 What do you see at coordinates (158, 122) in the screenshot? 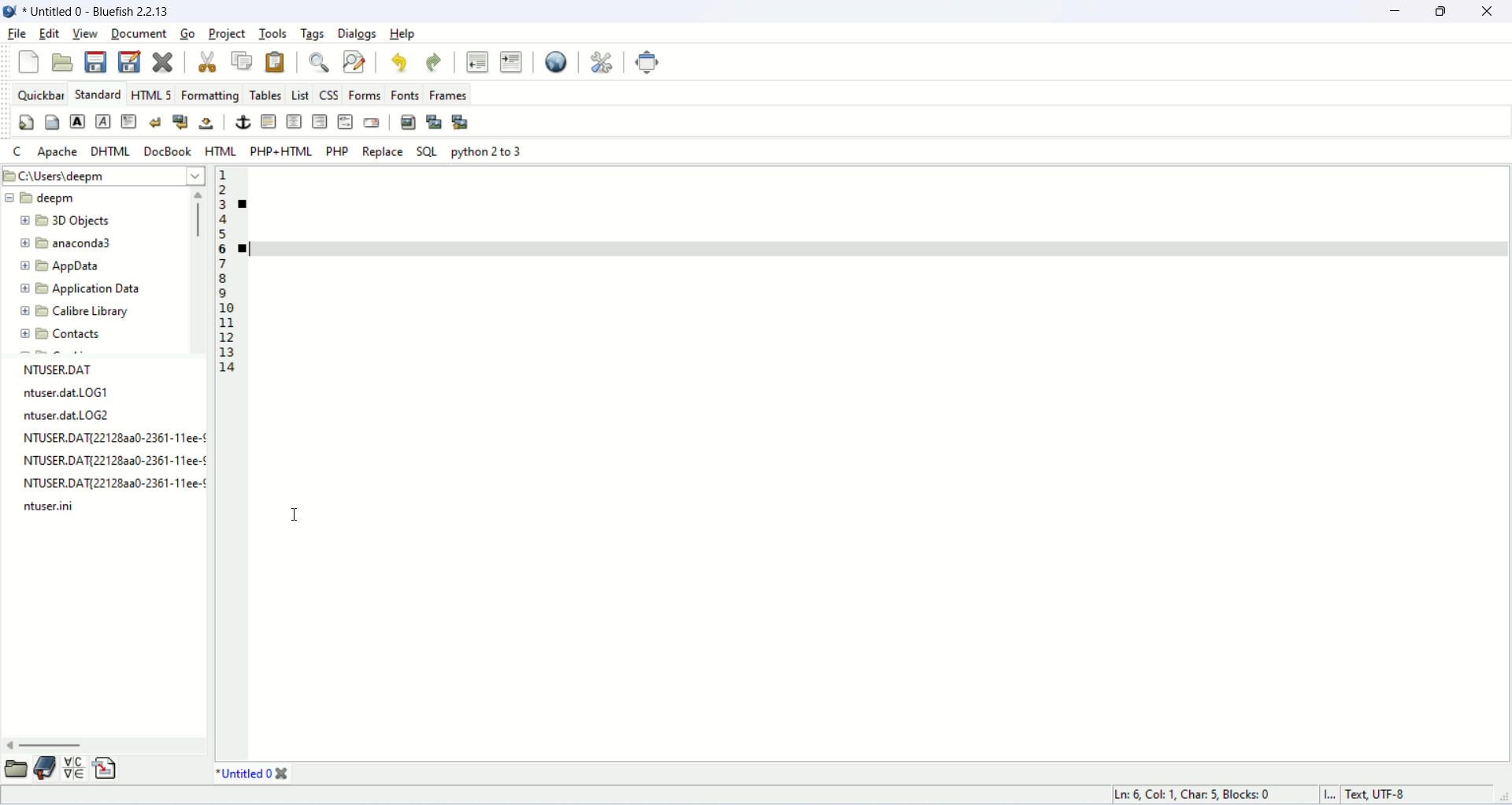
I see `break` at bounding box center [158, 122].